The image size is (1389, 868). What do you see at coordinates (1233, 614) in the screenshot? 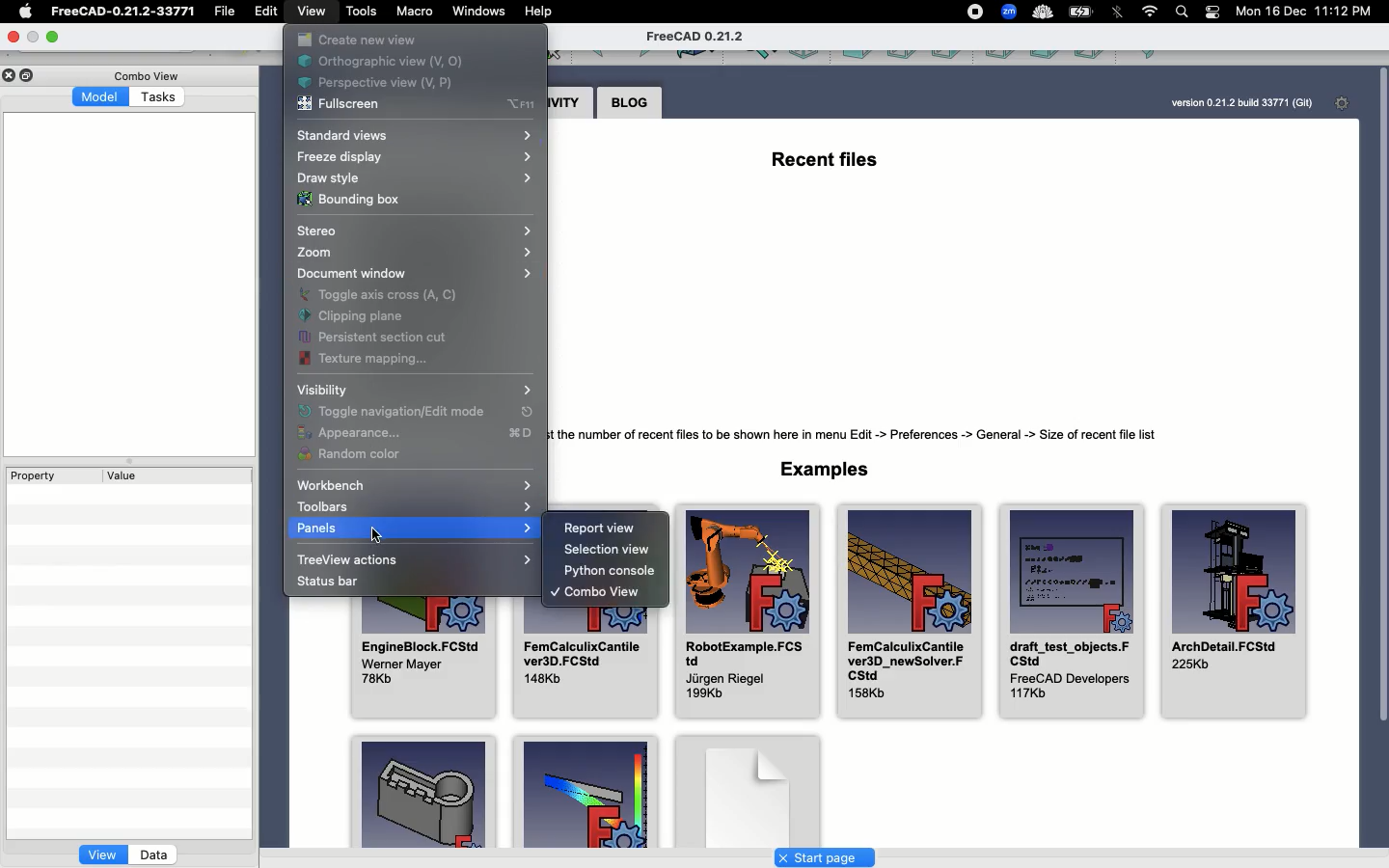
I see `ArchDetail FCStd225Kb` at bounding box center [1233, 614].